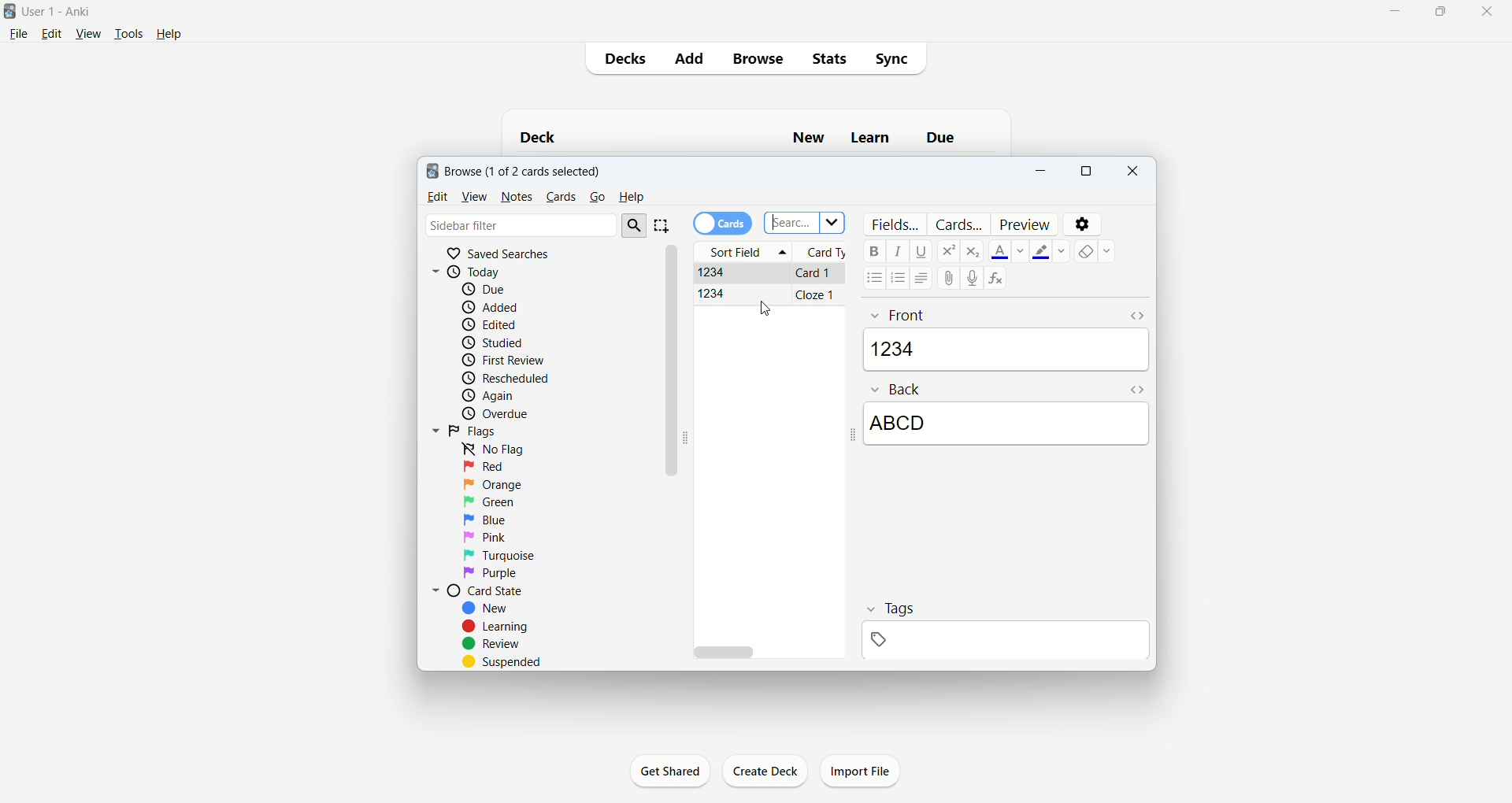 This screenshot has height=803, width=1512. I want to click on close, so click(1489, 10).